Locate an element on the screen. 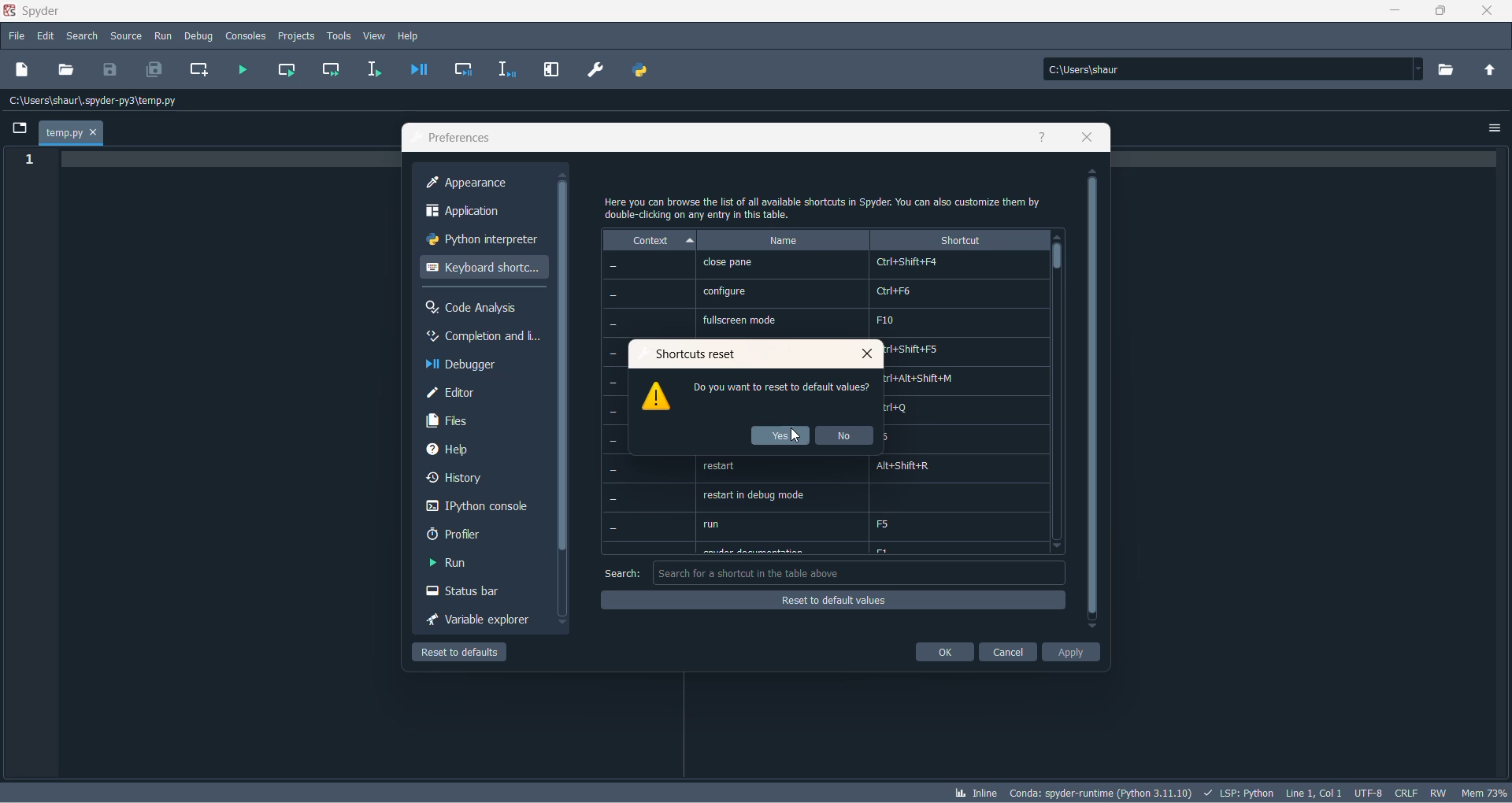 The image size is (1512, 803). status bar is located at coordinates (475, 591).